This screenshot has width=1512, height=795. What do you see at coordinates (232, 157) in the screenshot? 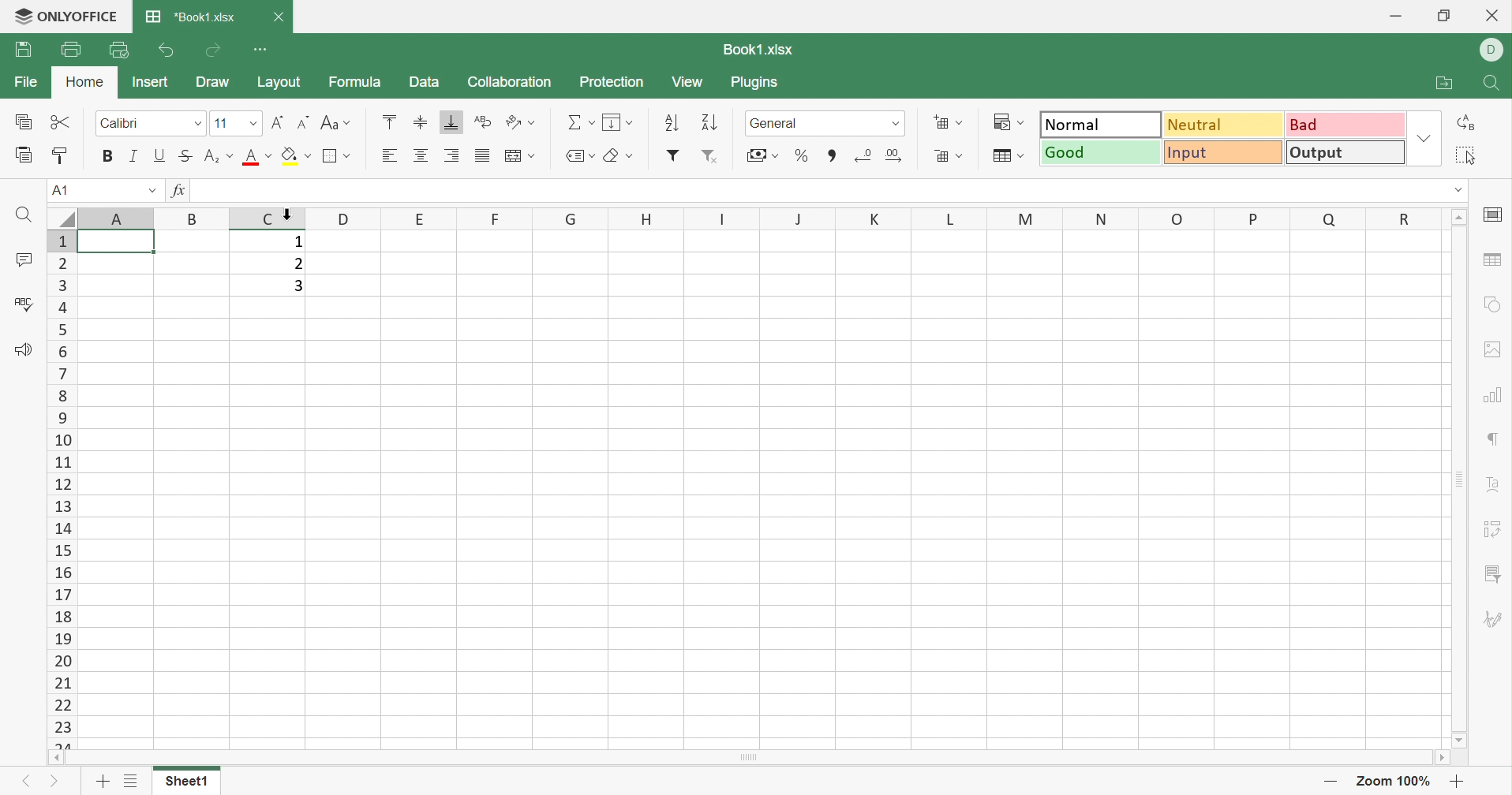
I see `Drop Down` at bounding box center [232, 157].